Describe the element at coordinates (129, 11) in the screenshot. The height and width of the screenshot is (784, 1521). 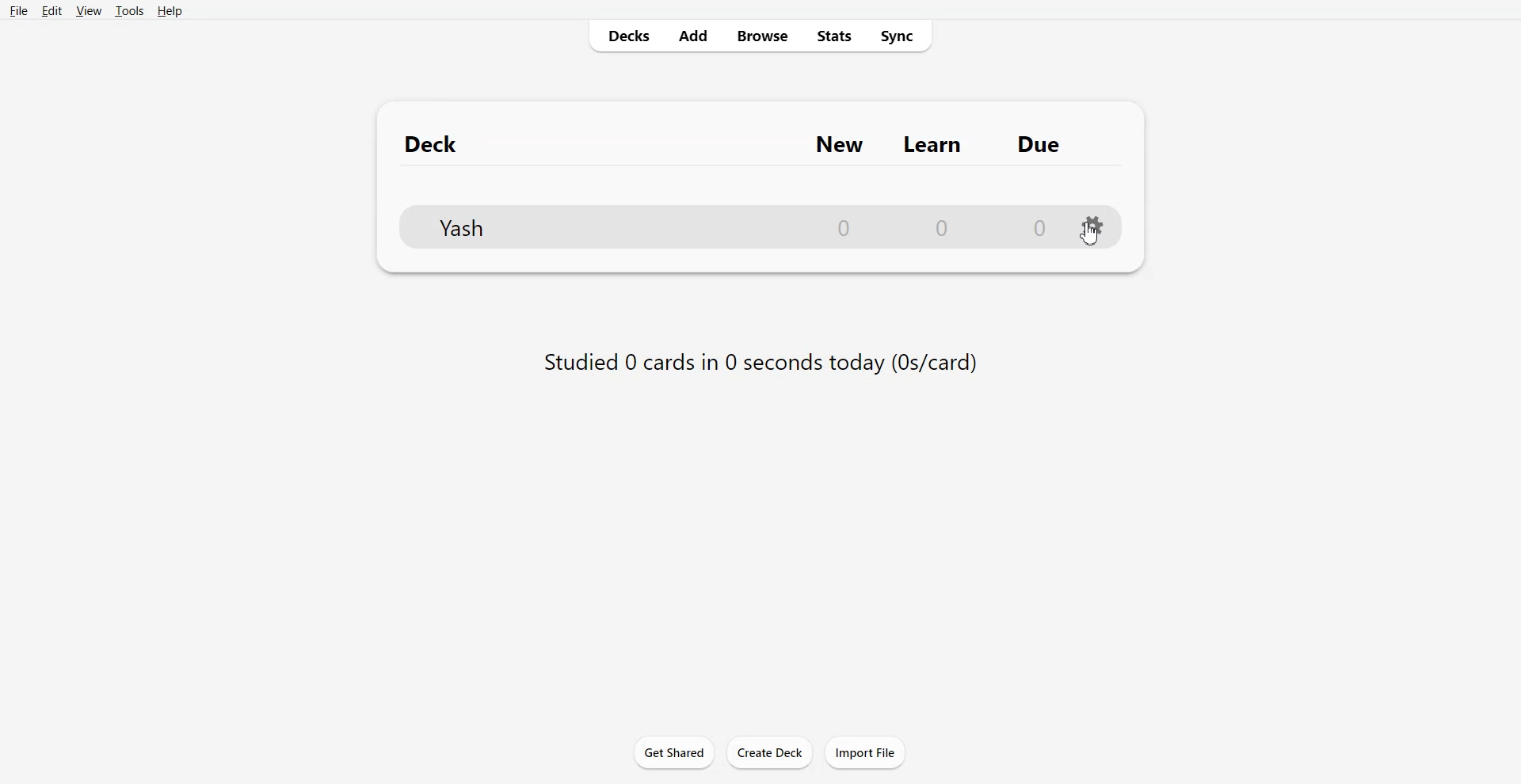
I see `Tools` at that location.